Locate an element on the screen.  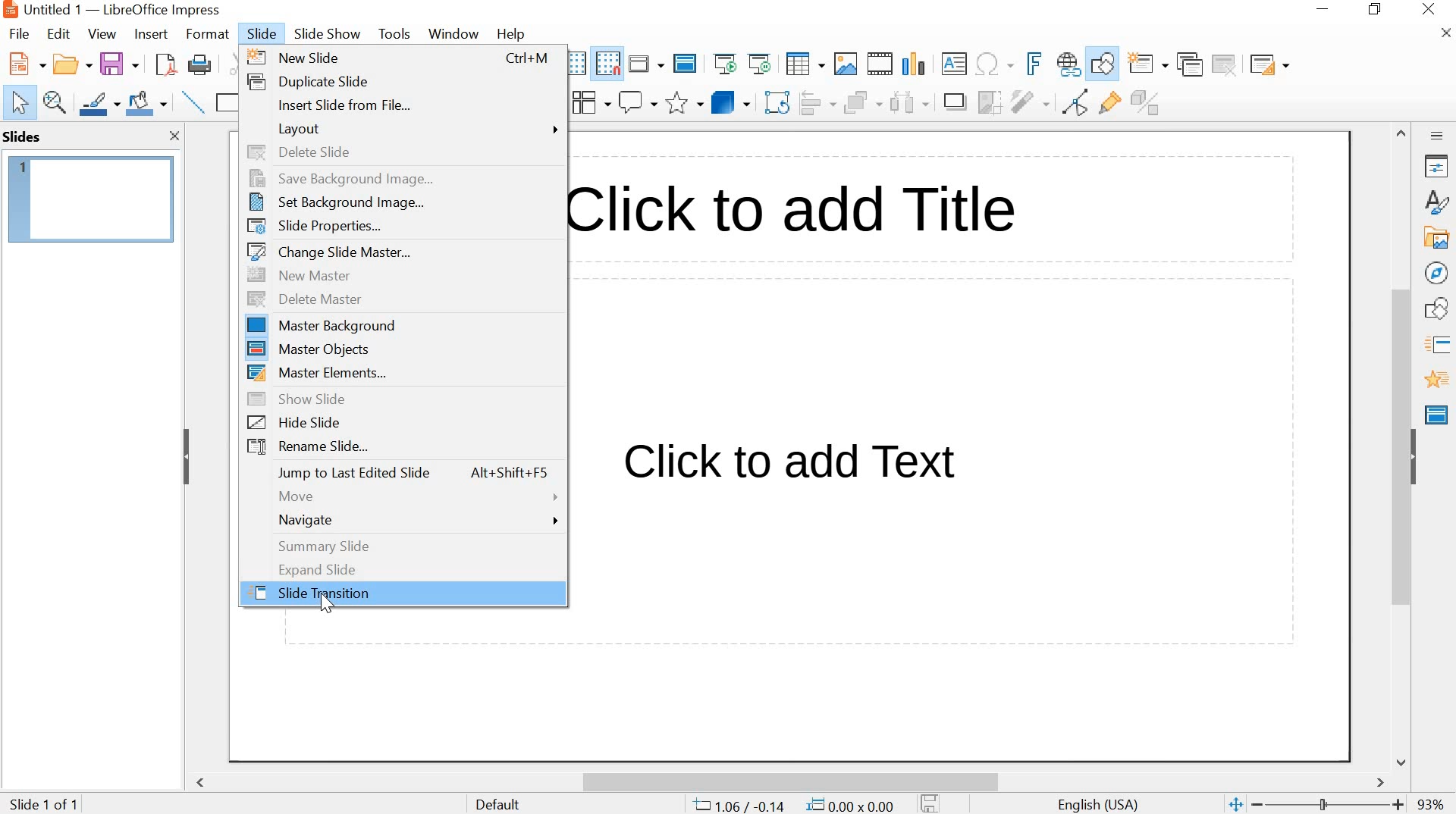
SLIDE is located at coordinates (260, 33).